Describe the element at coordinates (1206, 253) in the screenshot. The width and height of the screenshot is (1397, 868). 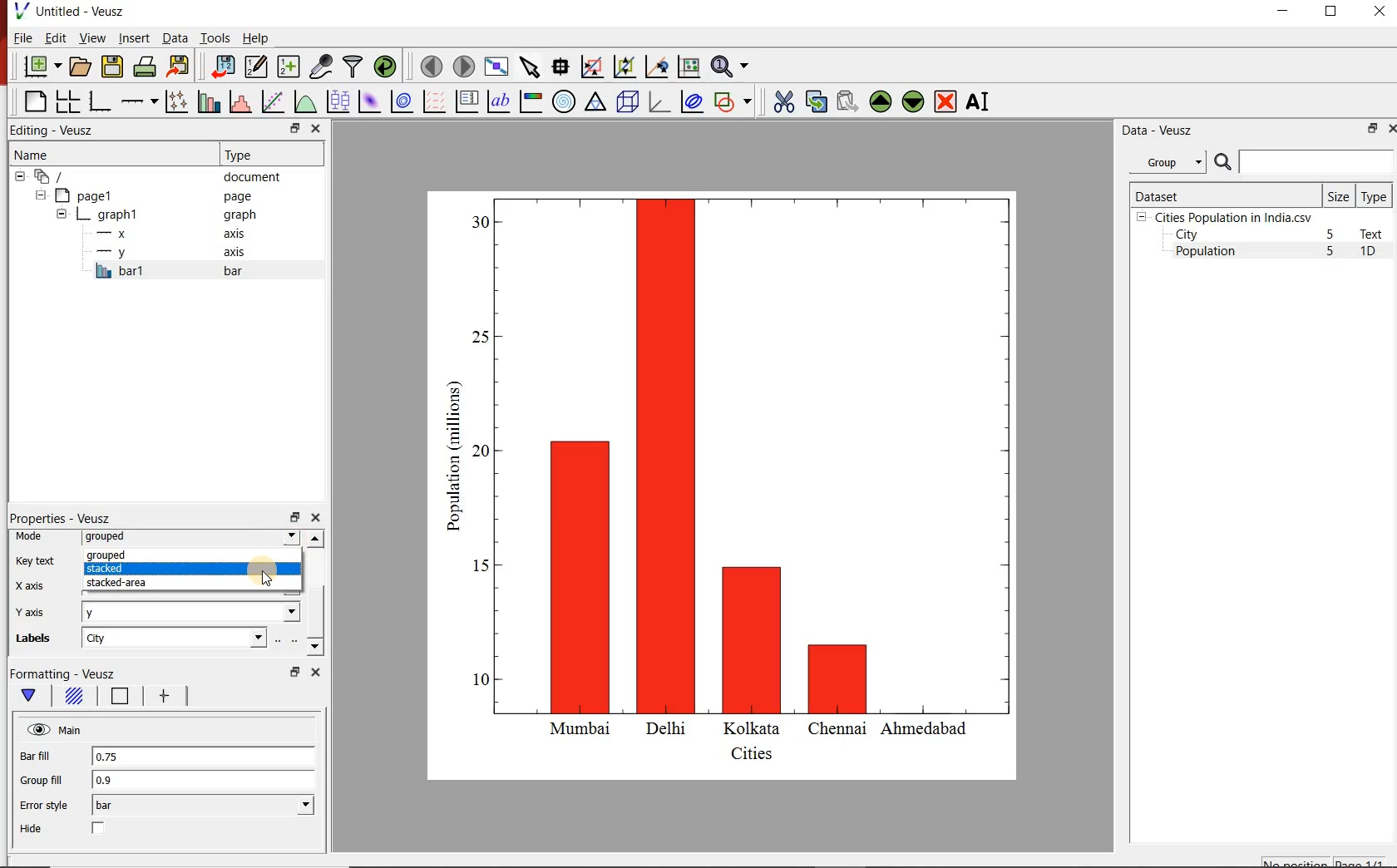
I see `Population` at that location.